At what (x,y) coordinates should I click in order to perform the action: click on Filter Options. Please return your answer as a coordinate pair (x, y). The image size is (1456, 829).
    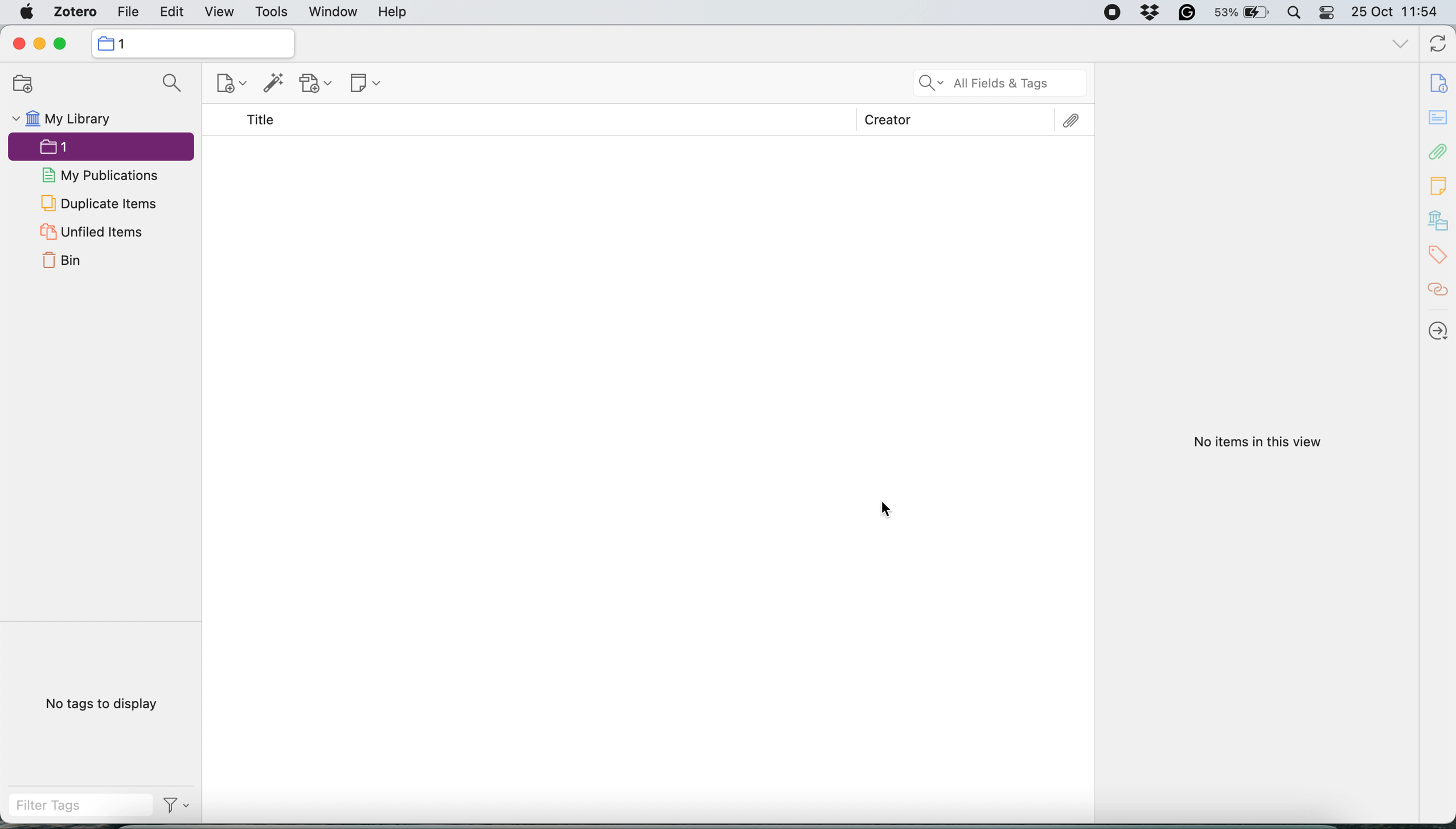
    Looking at the image, I should click on (178, 809).